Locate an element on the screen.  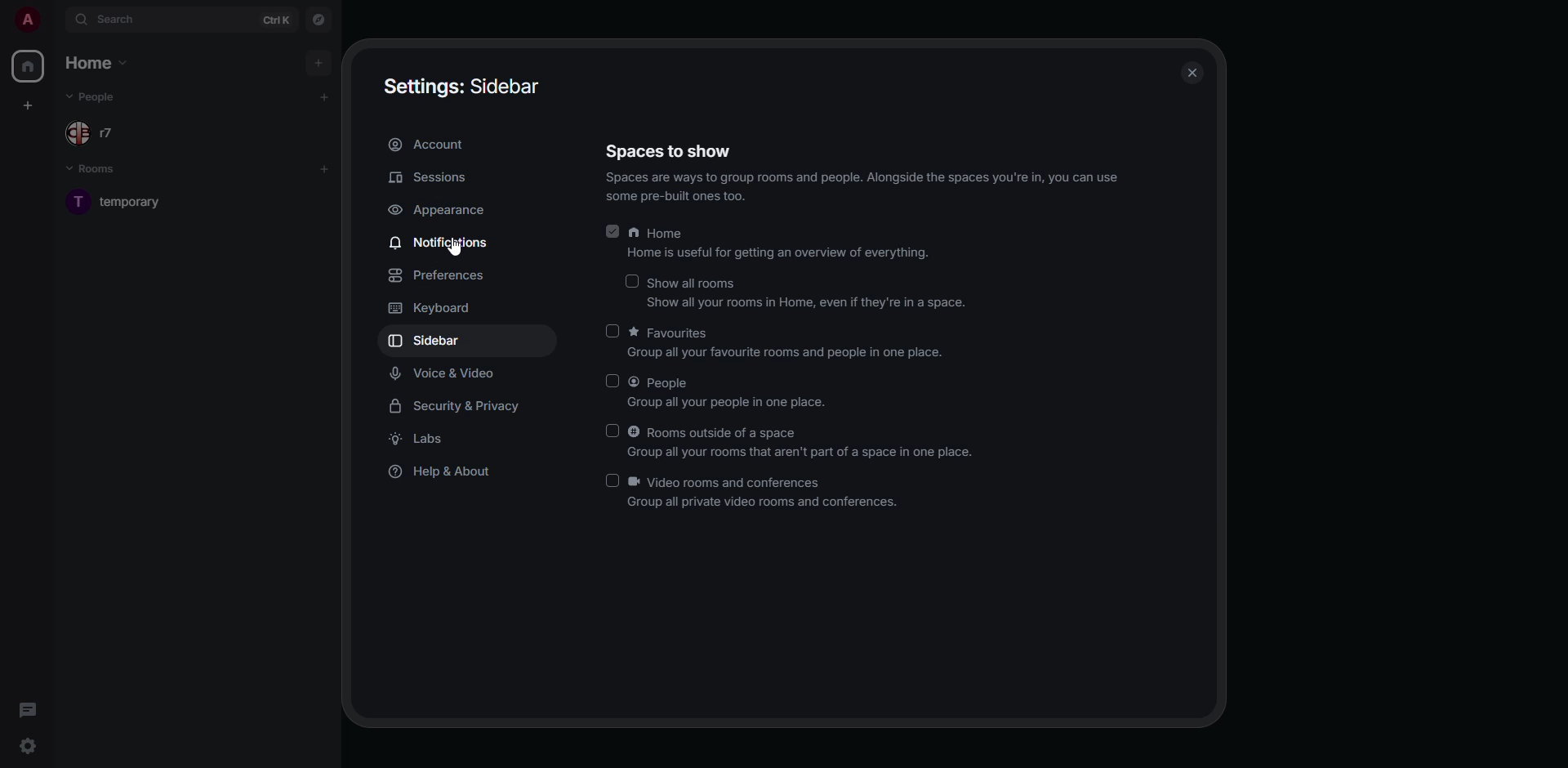
click to enable is located at coordinates (613, 431).